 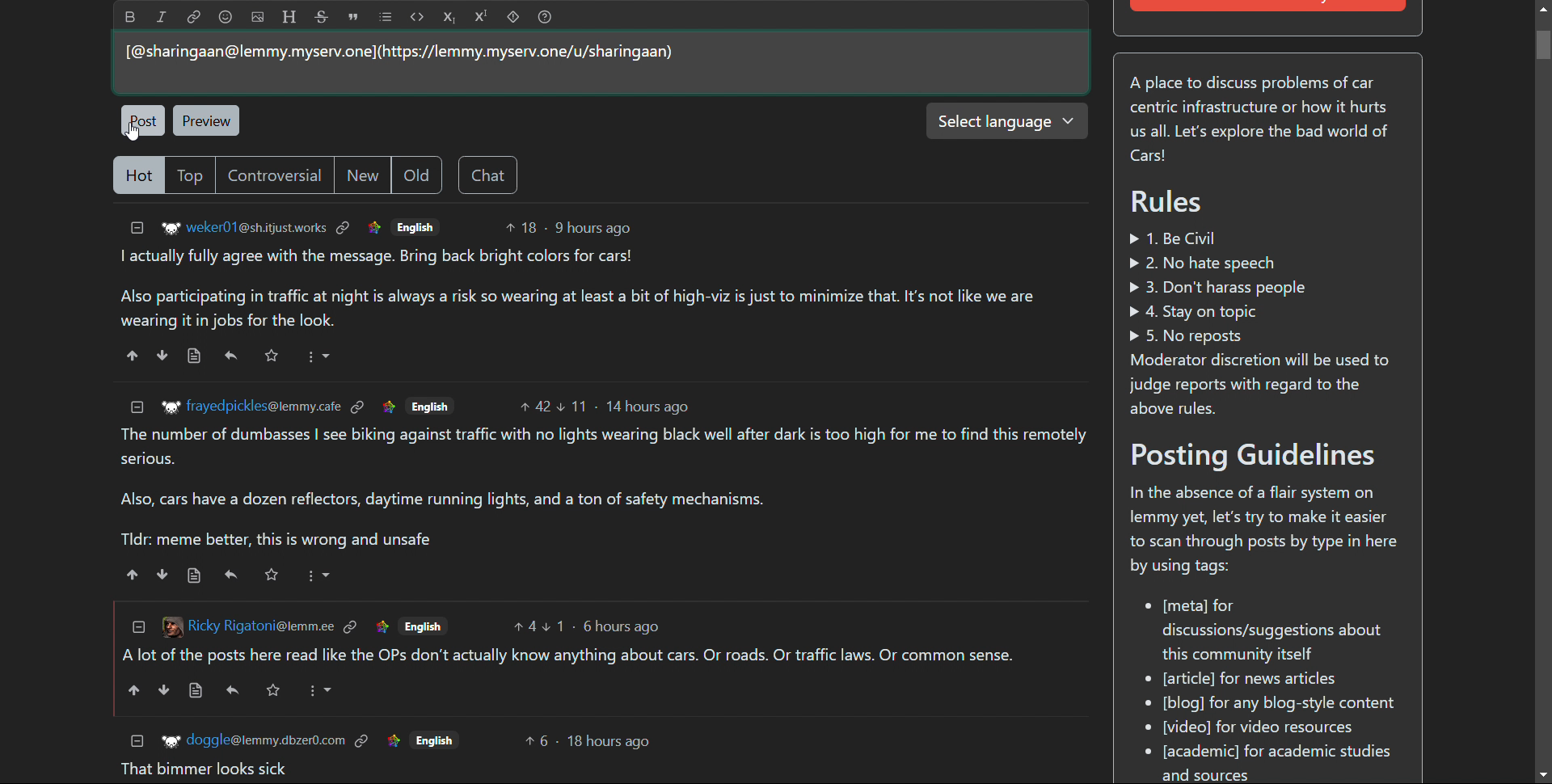 What do you see at coordinates (610, 743) in the screenshot?
I see `18 hours ago` at bounding box center [610, 743].